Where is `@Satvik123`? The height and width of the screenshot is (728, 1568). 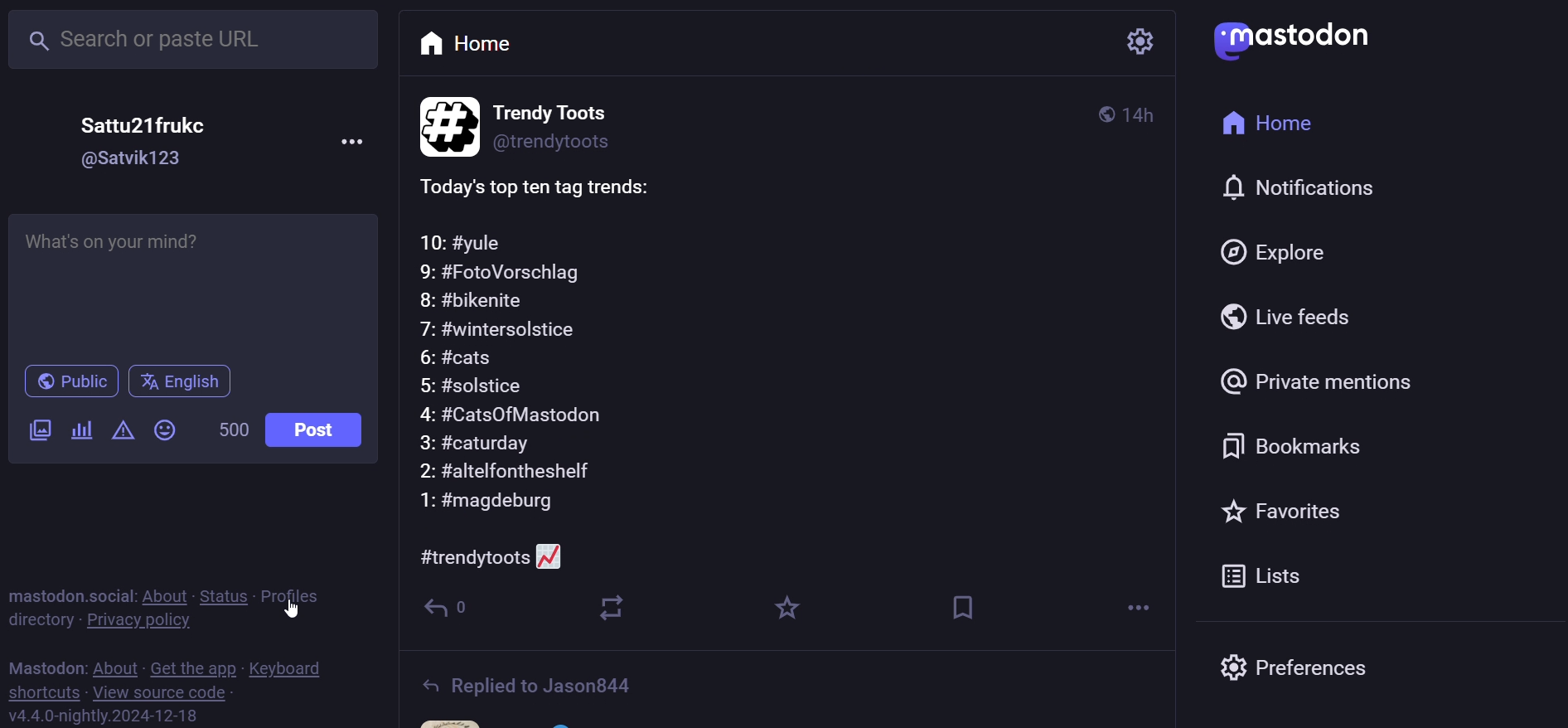 @Satvik123 is located at coordinates (135, 158).